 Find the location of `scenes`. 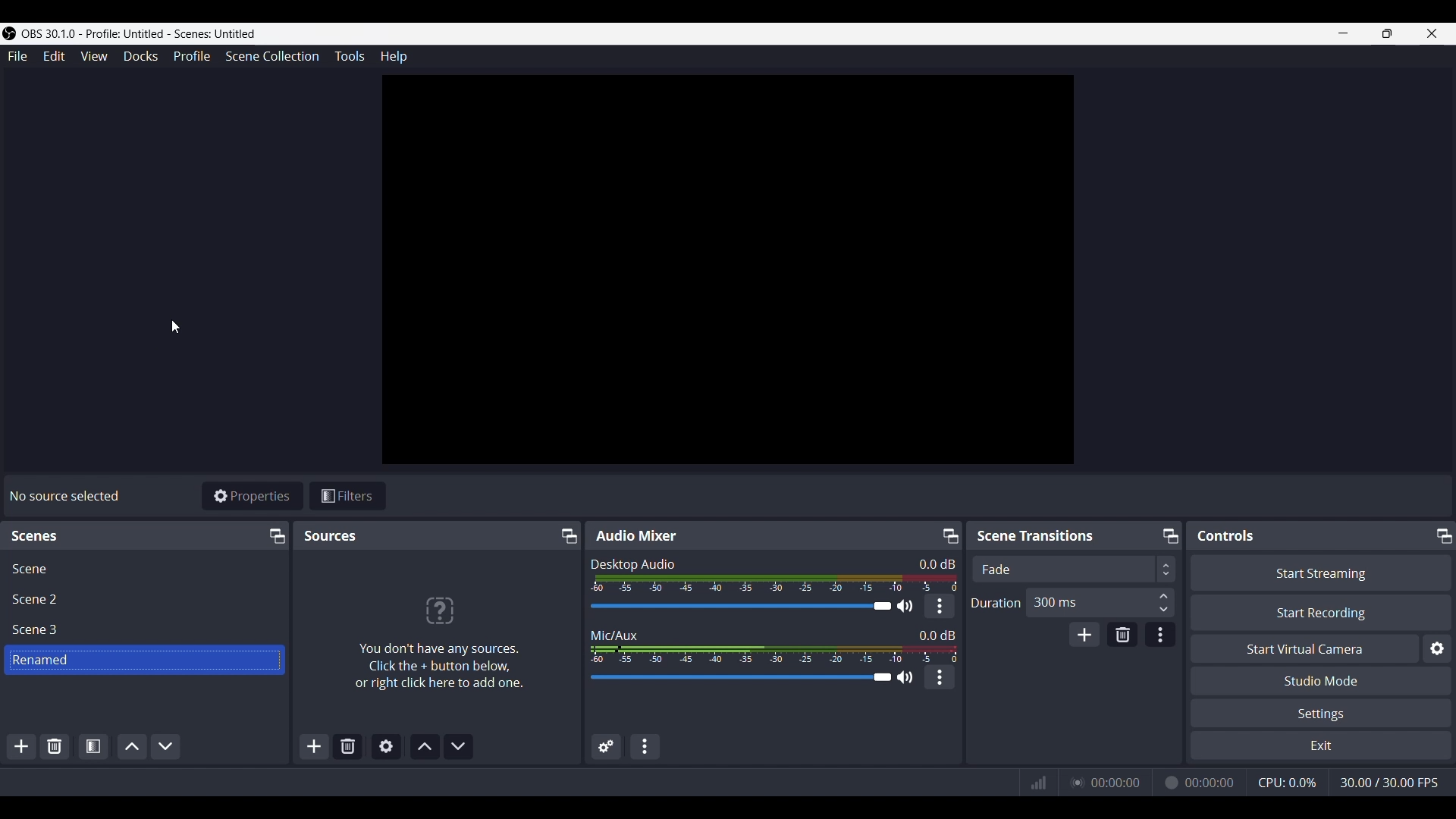

scenes is located at coordinates (36, 538).